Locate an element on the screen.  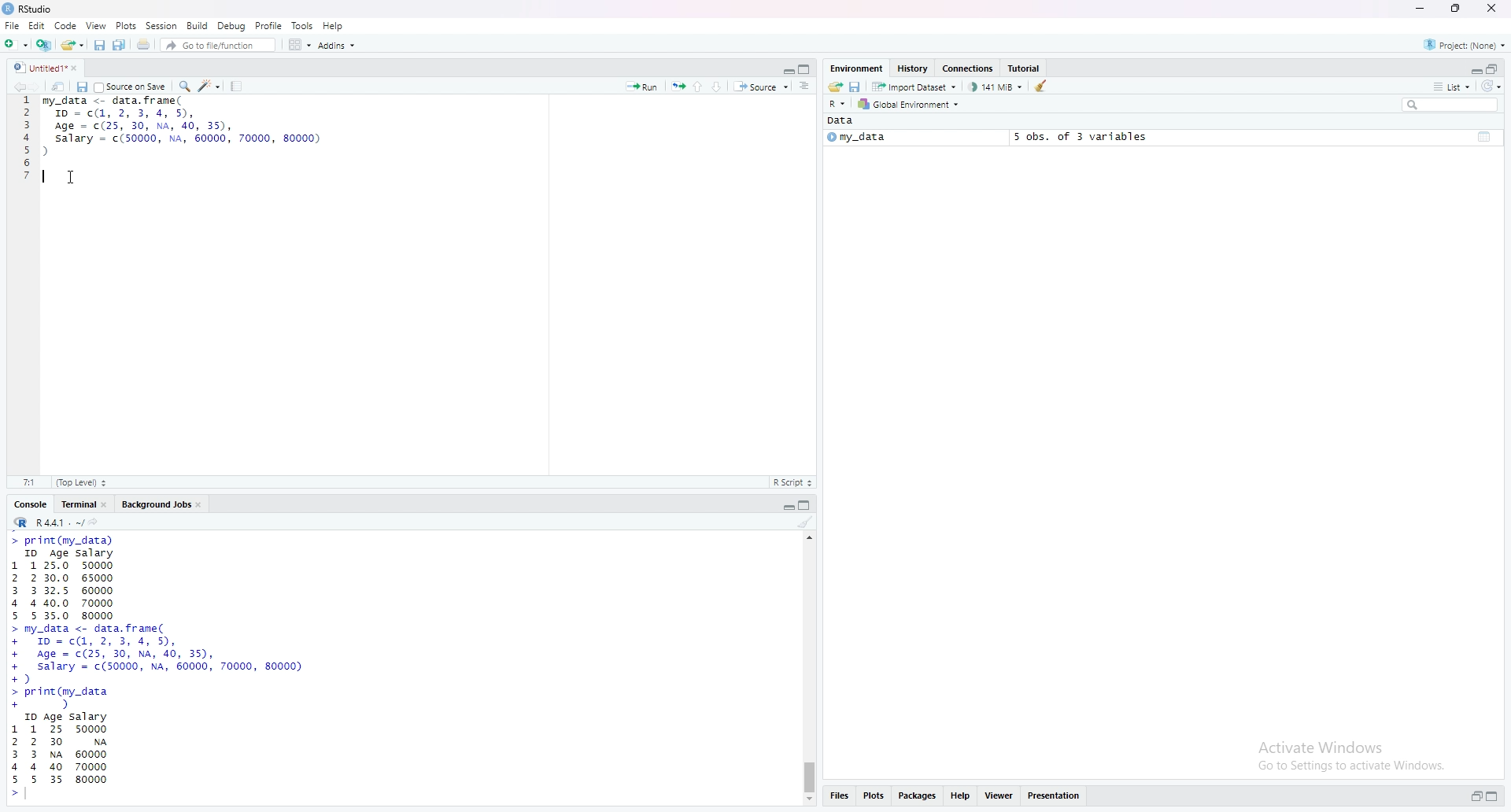
view is located at coordinates (96, 25).